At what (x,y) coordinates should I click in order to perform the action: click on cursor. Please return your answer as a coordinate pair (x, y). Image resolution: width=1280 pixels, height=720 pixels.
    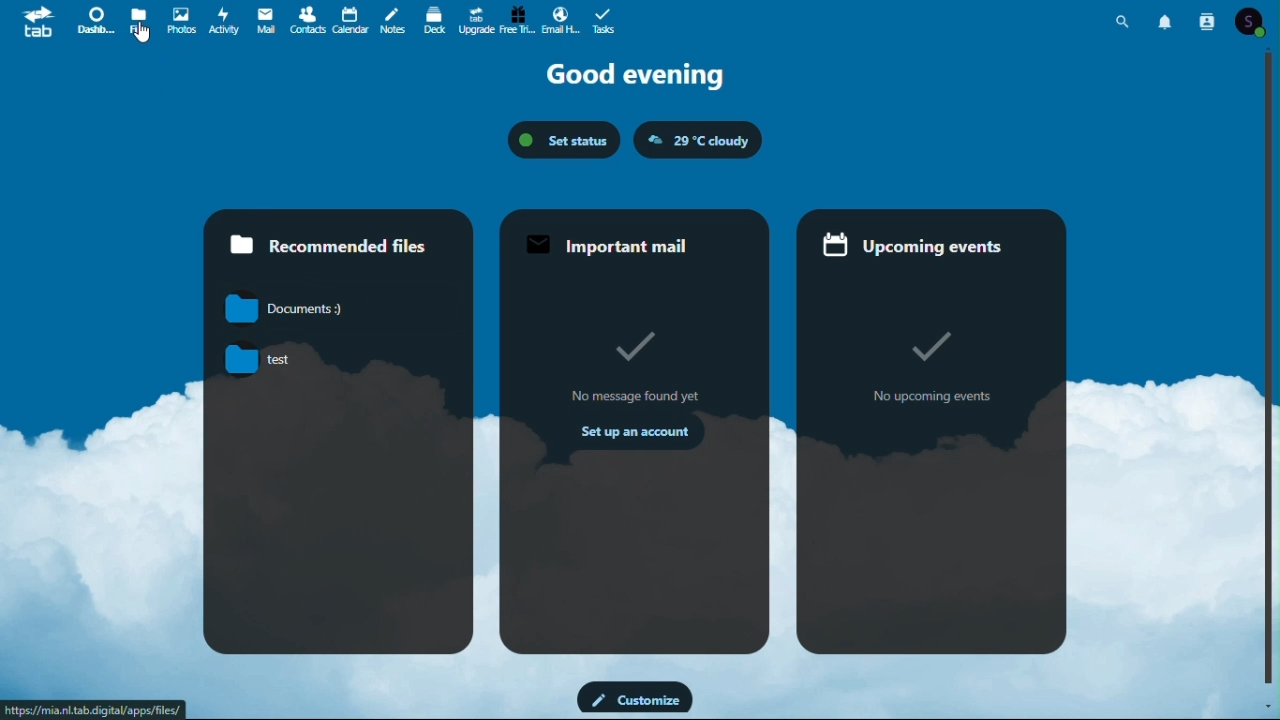
    Looking at the image, I should click on (142, 33).